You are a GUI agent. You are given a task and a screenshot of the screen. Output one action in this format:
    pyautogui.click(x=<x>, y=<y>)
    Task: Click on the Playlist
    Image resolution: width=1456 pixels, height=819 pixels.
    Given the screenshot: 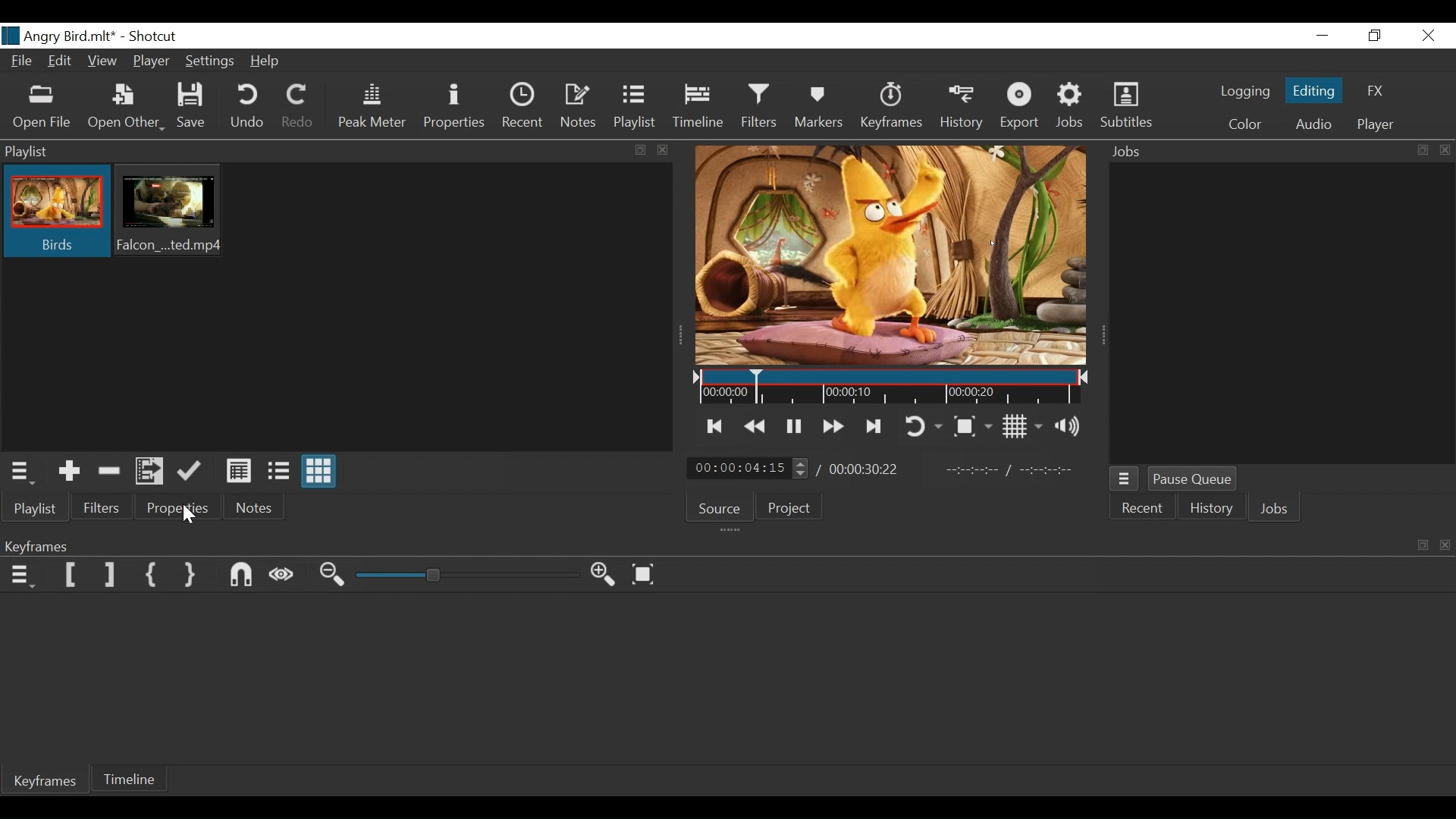 What is the action you would take?
    pyautogui.click(x=39, y=509)
    